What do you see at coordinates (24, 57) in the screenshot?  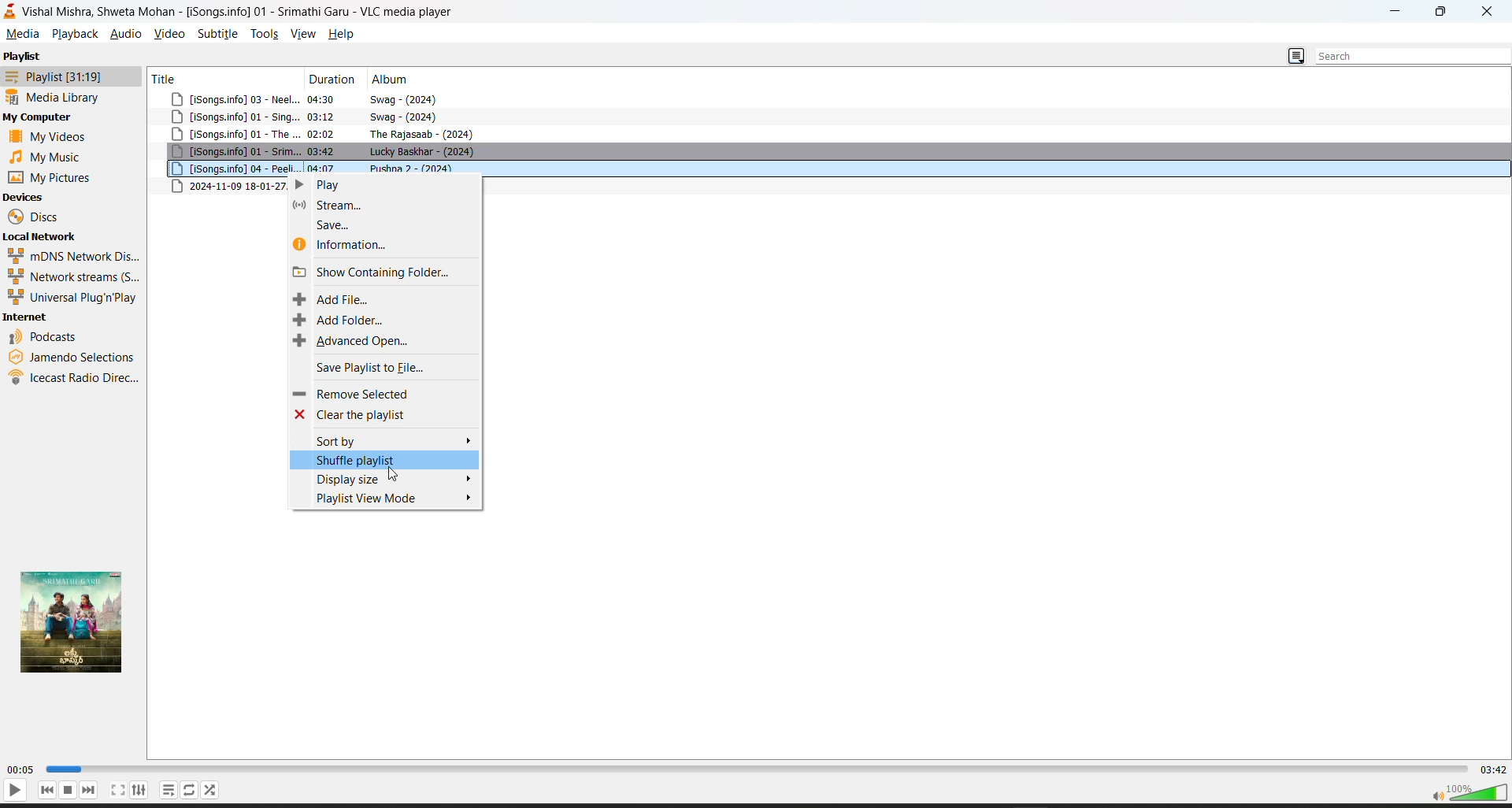 I see `playlist` at bounding box center [24, 57].